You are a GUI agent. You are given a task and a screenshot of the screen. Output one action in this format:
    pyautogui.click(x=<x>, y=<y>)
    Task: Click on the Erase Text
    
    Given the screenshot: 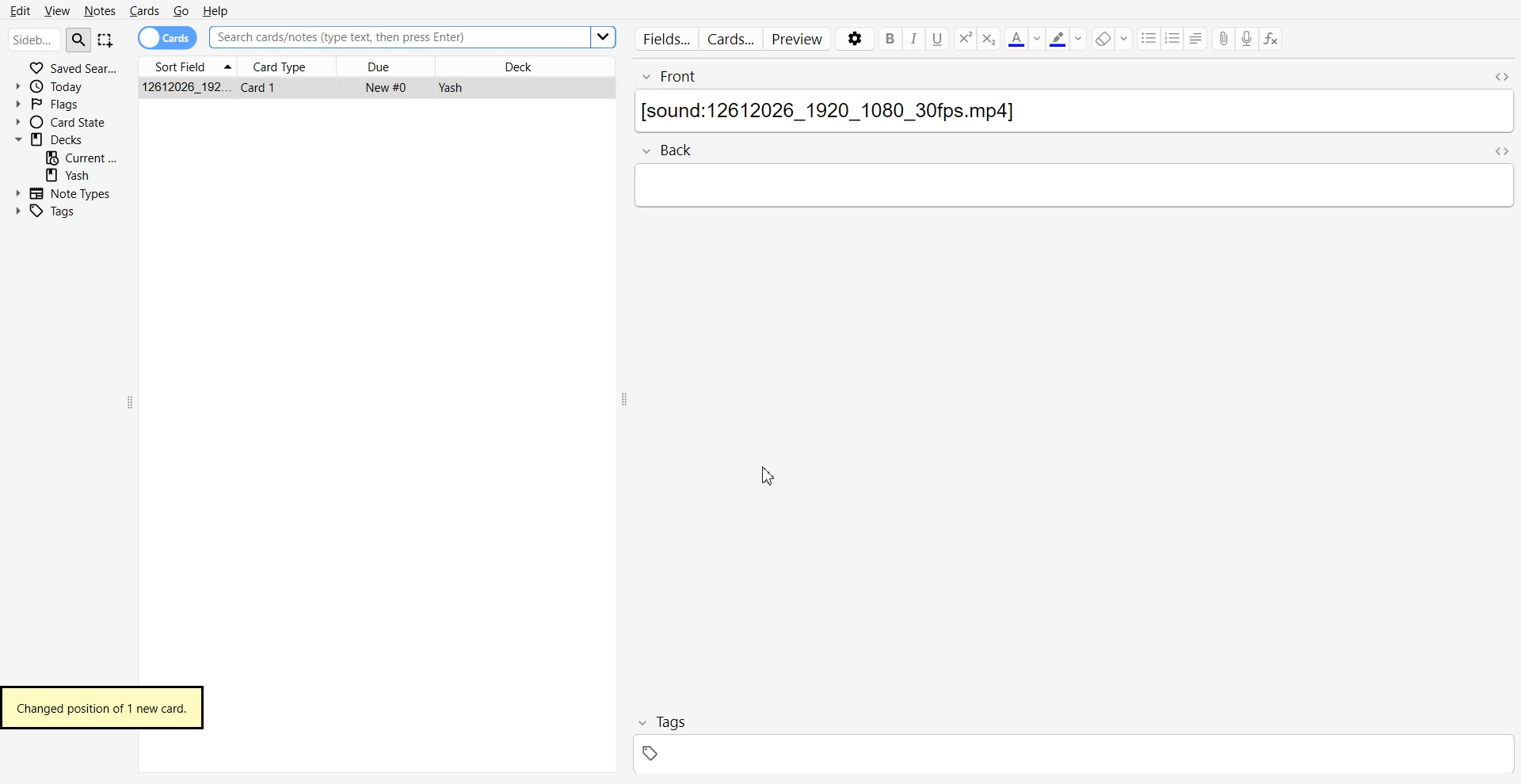 What is the action you would take?
    pyautogui.click(x=1112, y=38)
    